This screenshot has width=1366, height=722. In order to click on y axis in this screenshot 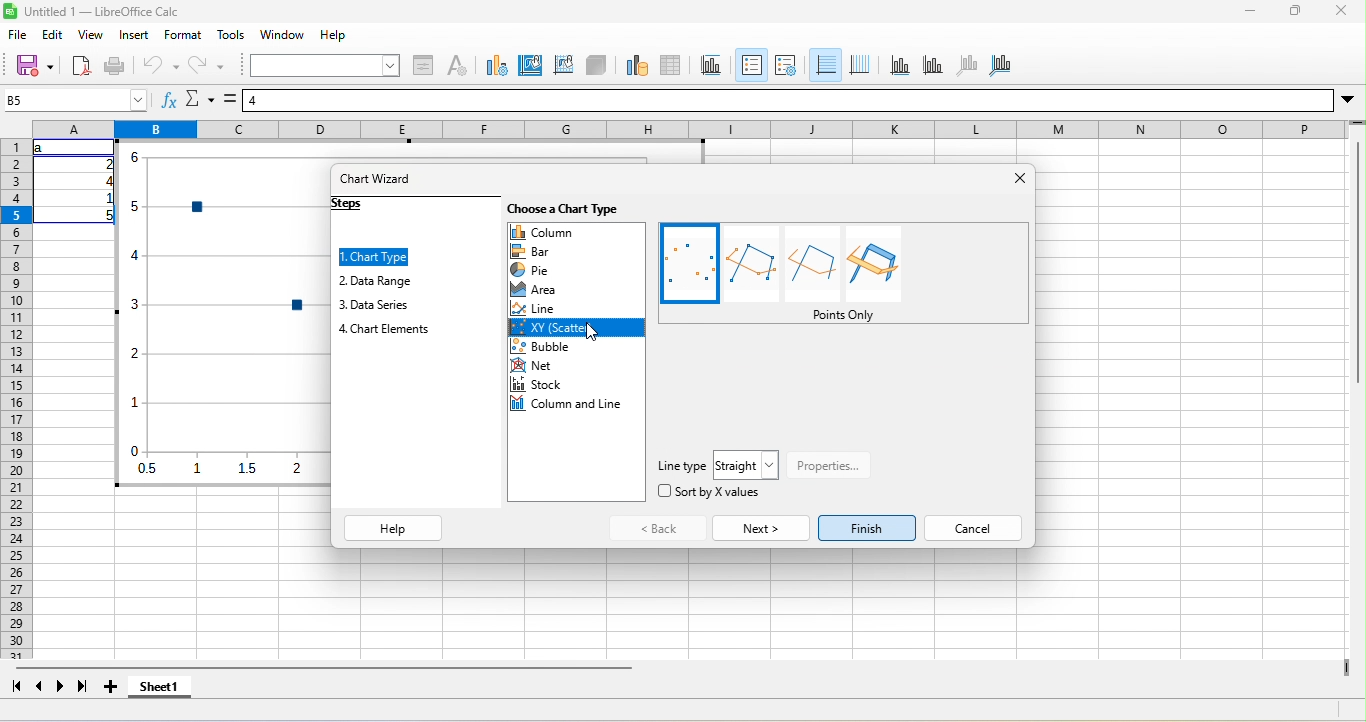, I will do `click(934, 67)`.